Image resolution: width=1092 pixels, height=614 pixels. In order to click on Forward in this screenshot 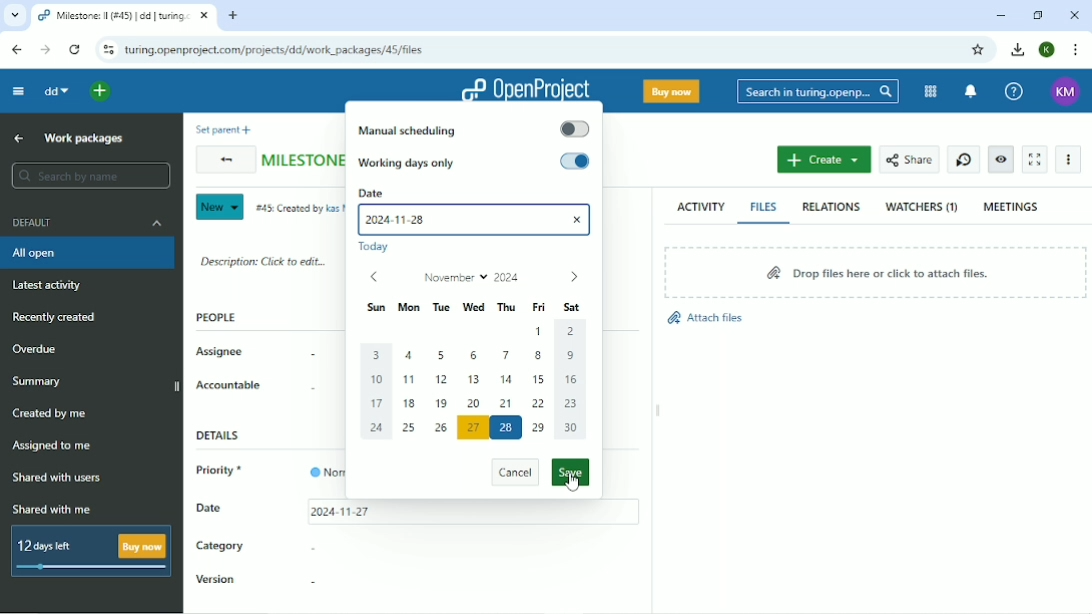, I will do `click(47, 51)`.